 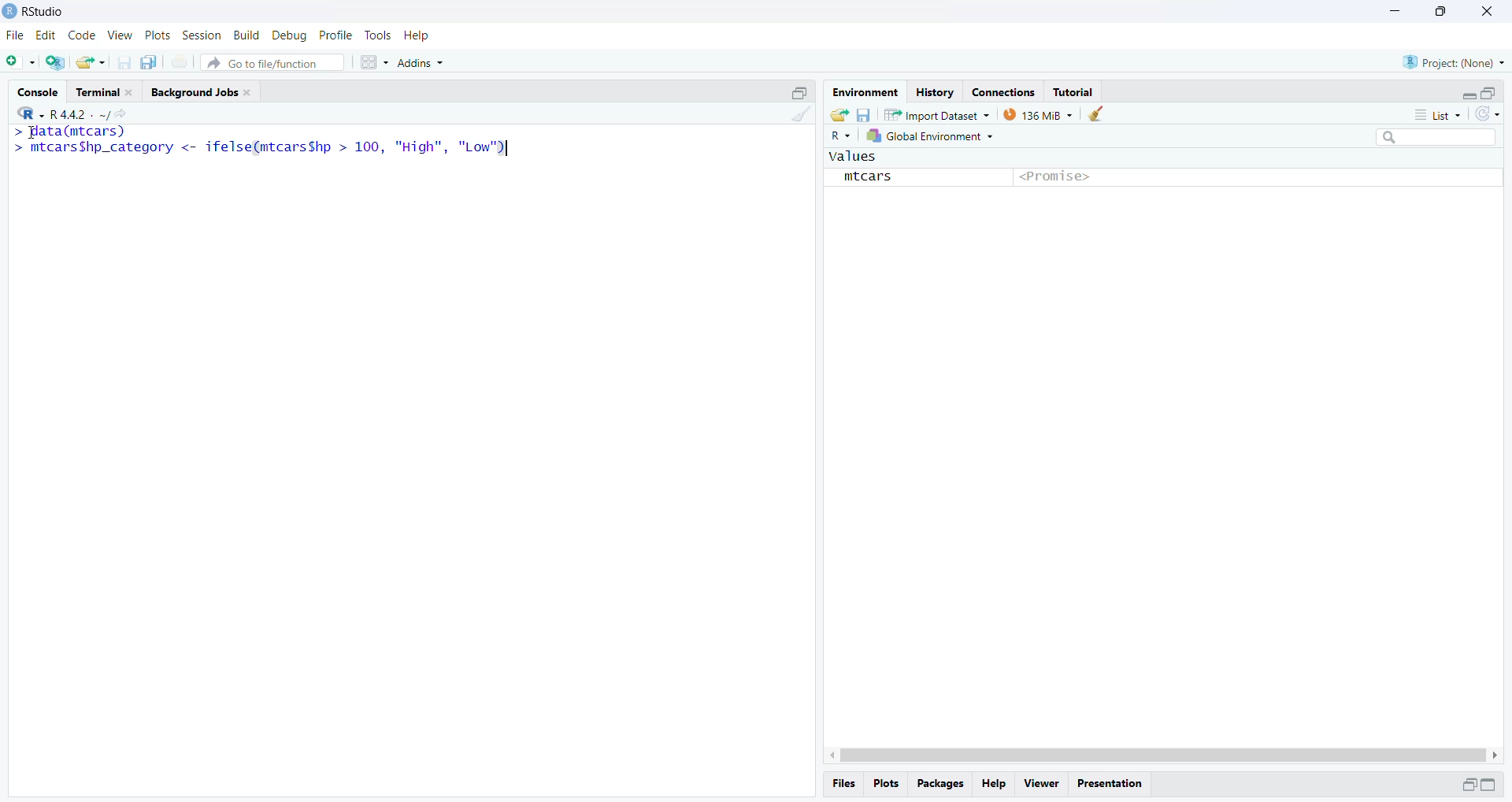 What do you see at coordinates (1038, 114) in the screenshot?
I see `135 MiB` at bounding box center [1038, 114].